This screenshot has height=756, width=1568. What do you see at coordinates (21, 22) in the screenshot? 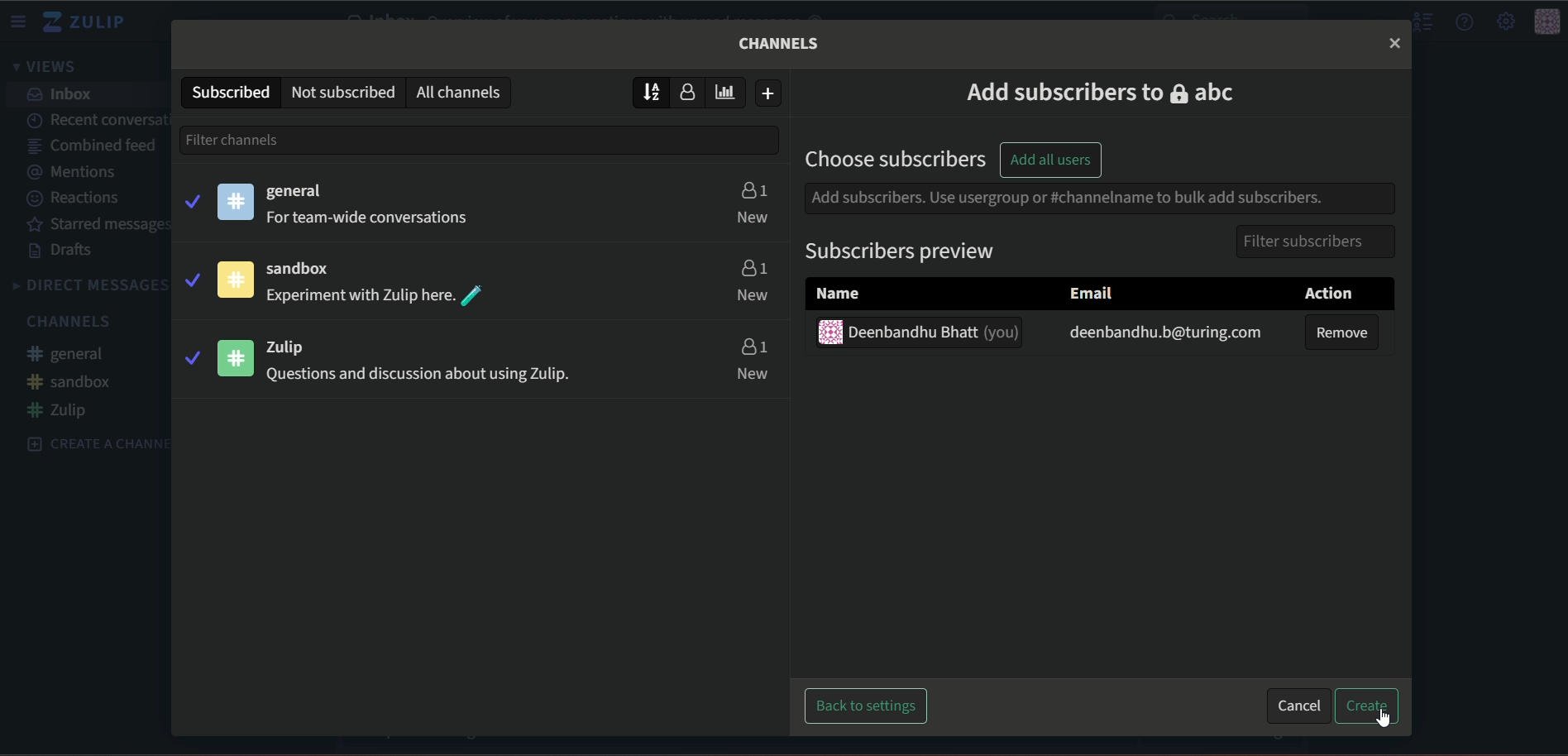
I see `menu` at bounding box center [21, 22].